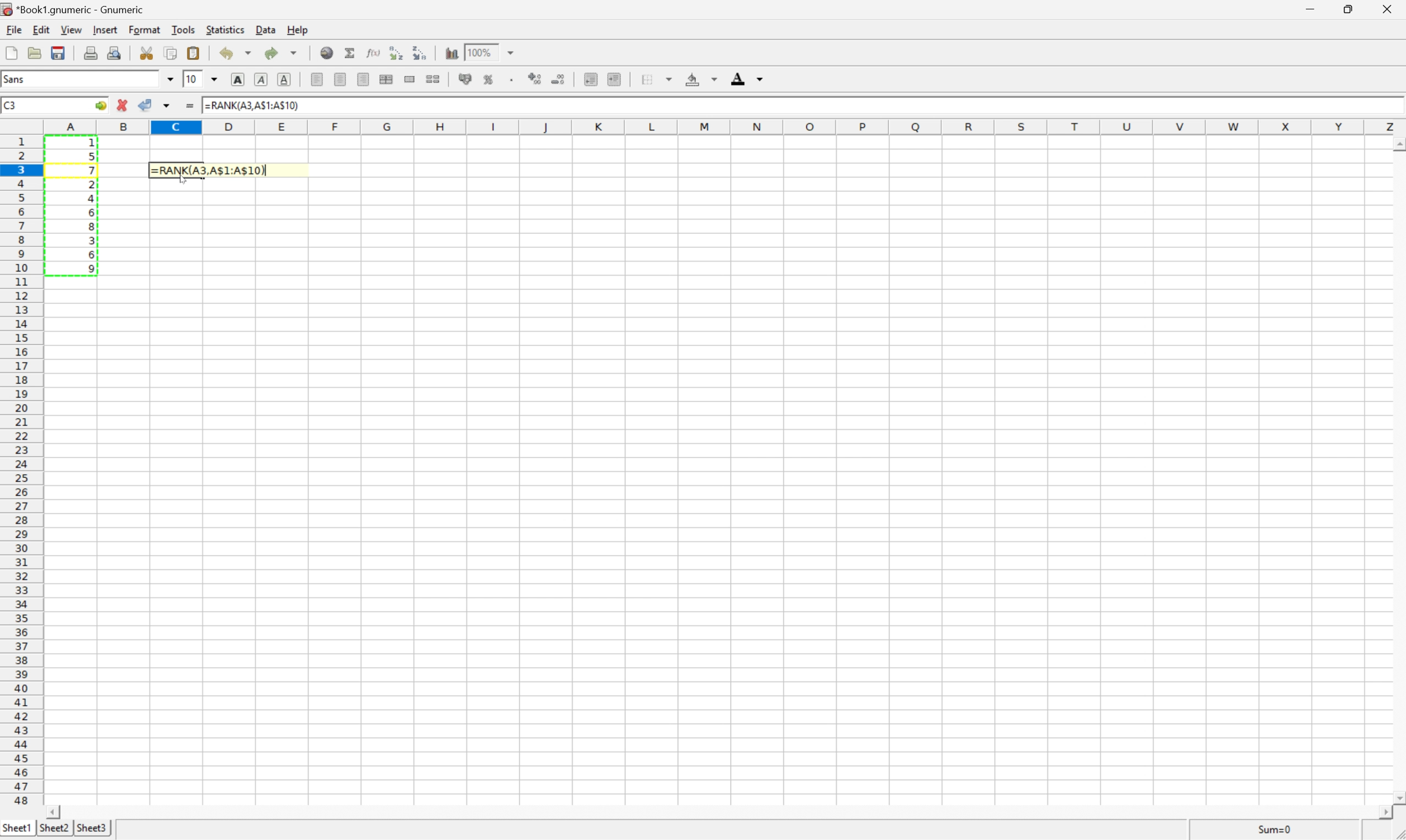 The width and height of the screenshot is (1406, 840). What do you see at coordinates (144, 28) in the screenshot?
I see `format` at bounding box center [144, 28].